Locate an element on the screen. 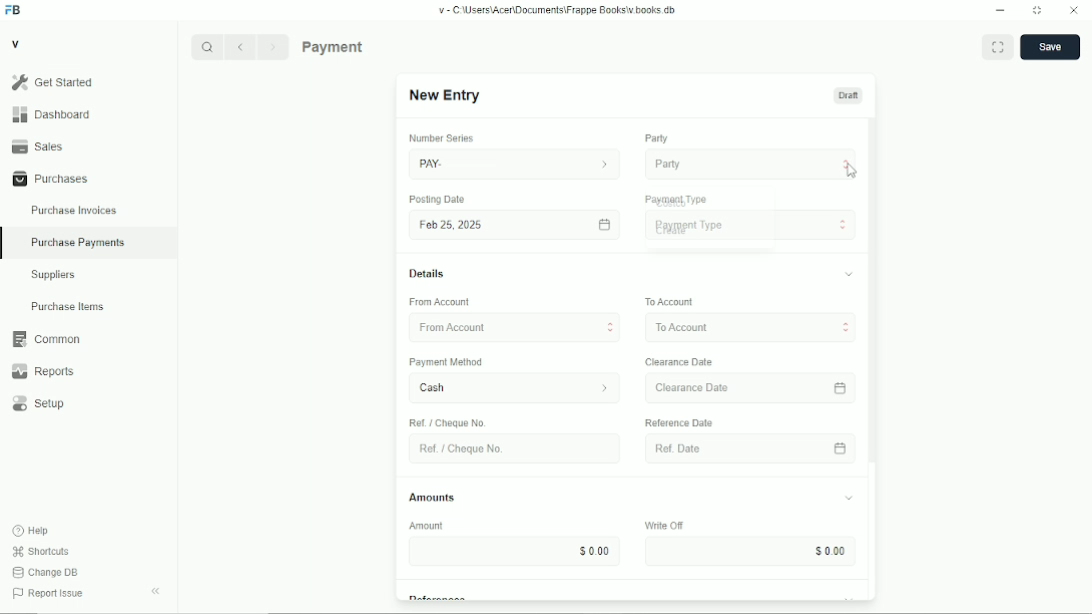  Gel Started is located at coordinates (88, 82).